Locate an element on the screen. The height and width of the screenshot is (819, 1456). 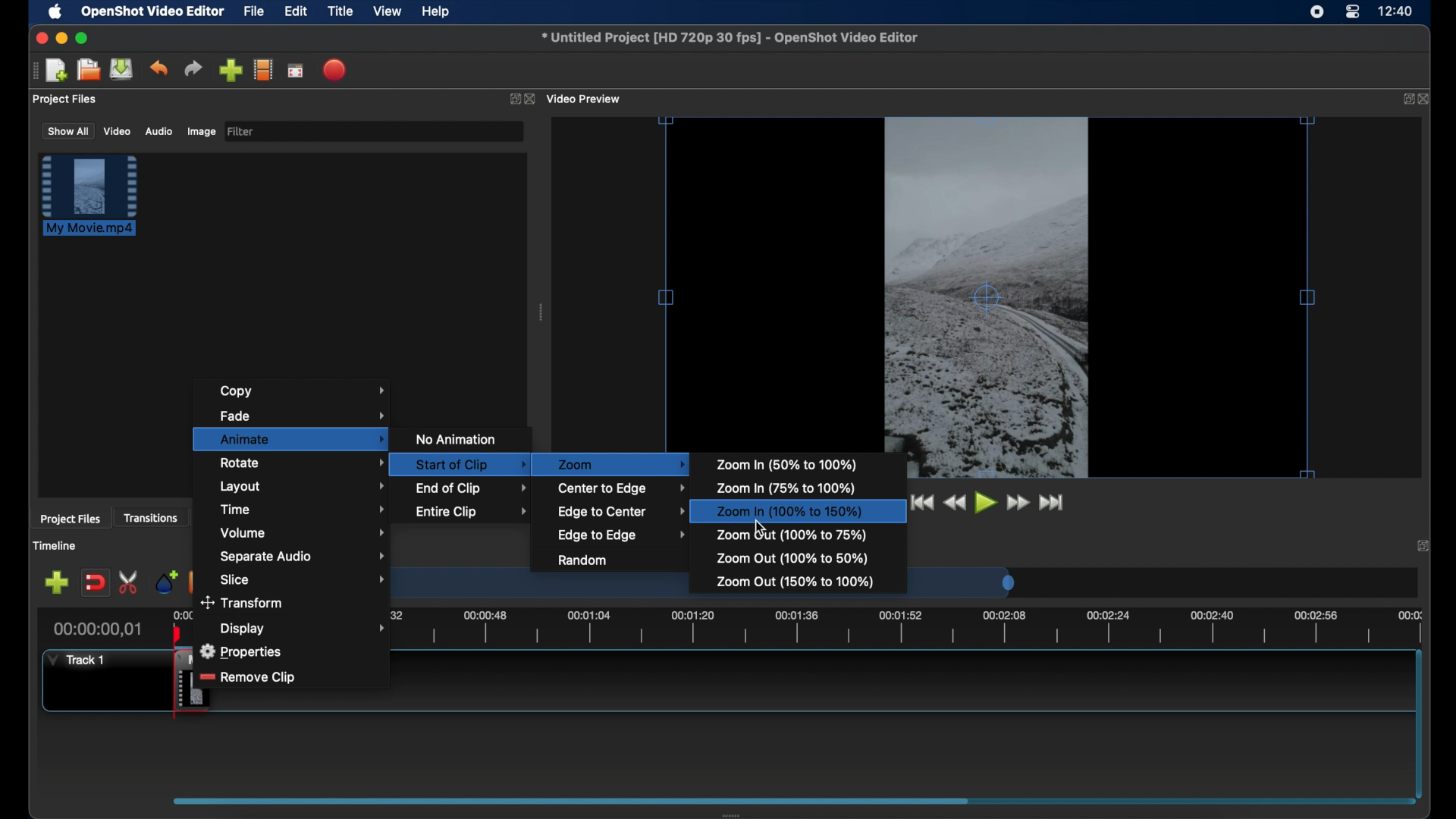
track 1 is located at coordinates (74, 660).